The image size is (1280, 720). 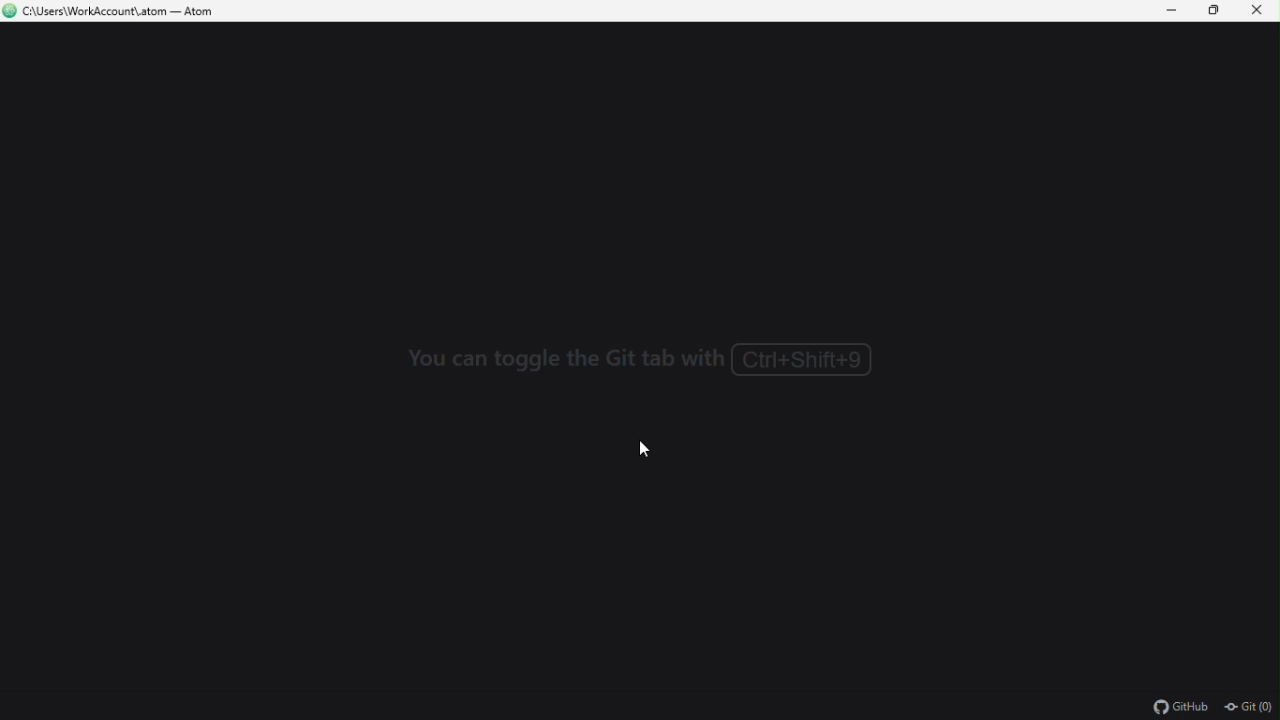 What do you see at coordinates (1170, 13) in the screenshot?
I see `minimize` at bounding box center [1170, 13].